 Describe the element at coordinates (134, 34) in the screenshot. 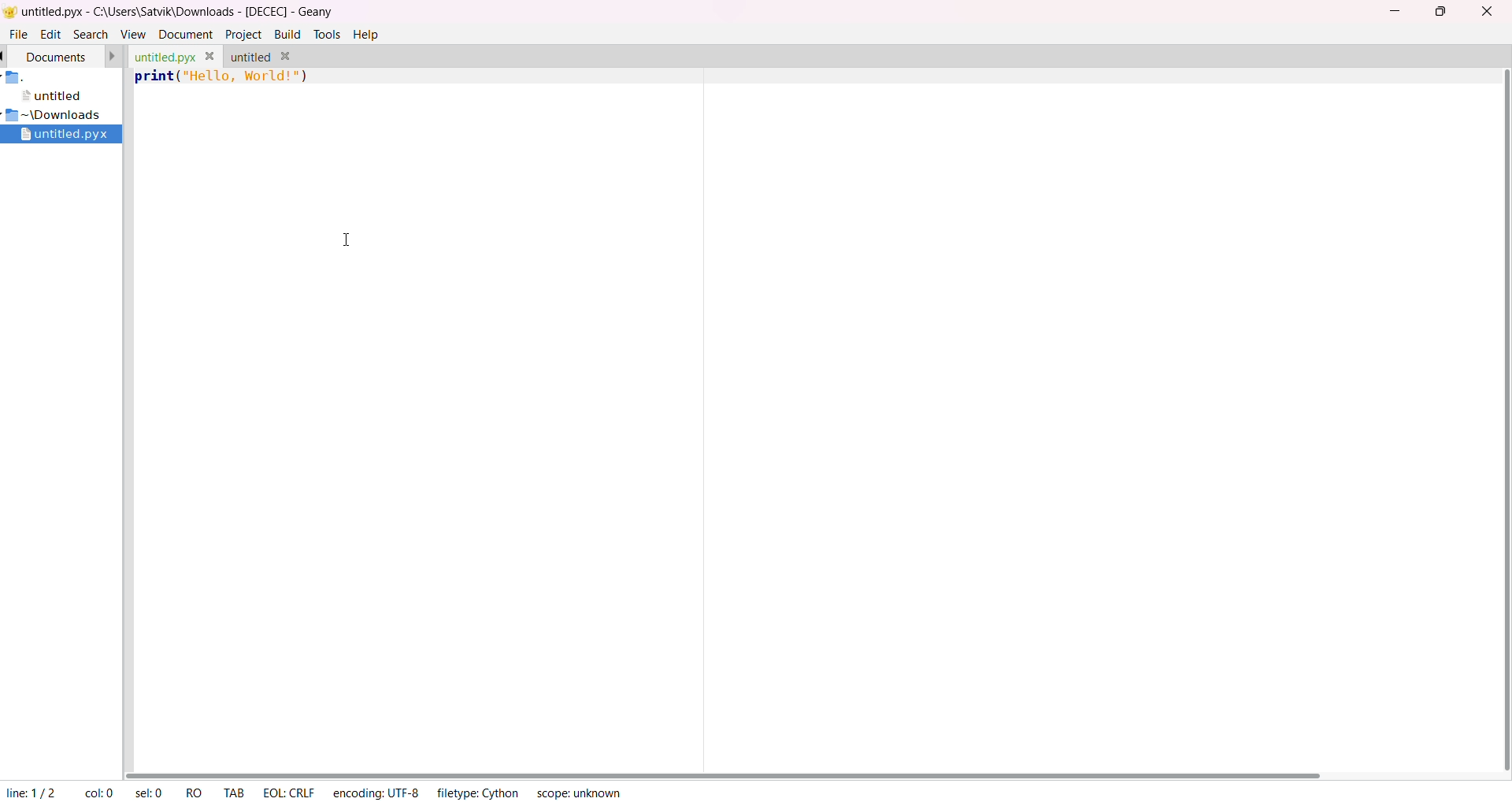

I see `view` at that location.